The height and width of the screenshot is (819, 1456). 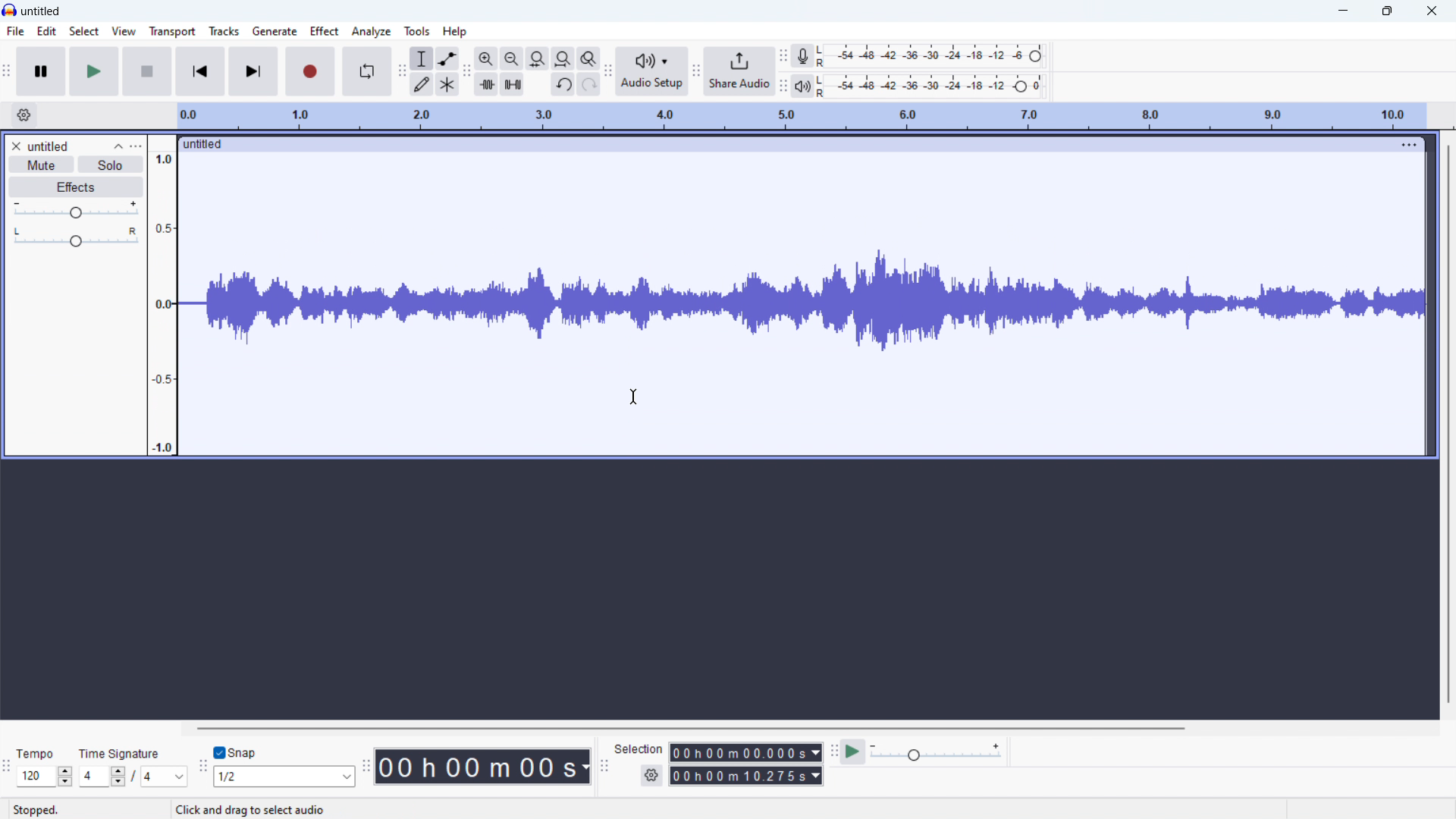 I want to click on Click and drag to resize the track, so click(x=296, y=810).